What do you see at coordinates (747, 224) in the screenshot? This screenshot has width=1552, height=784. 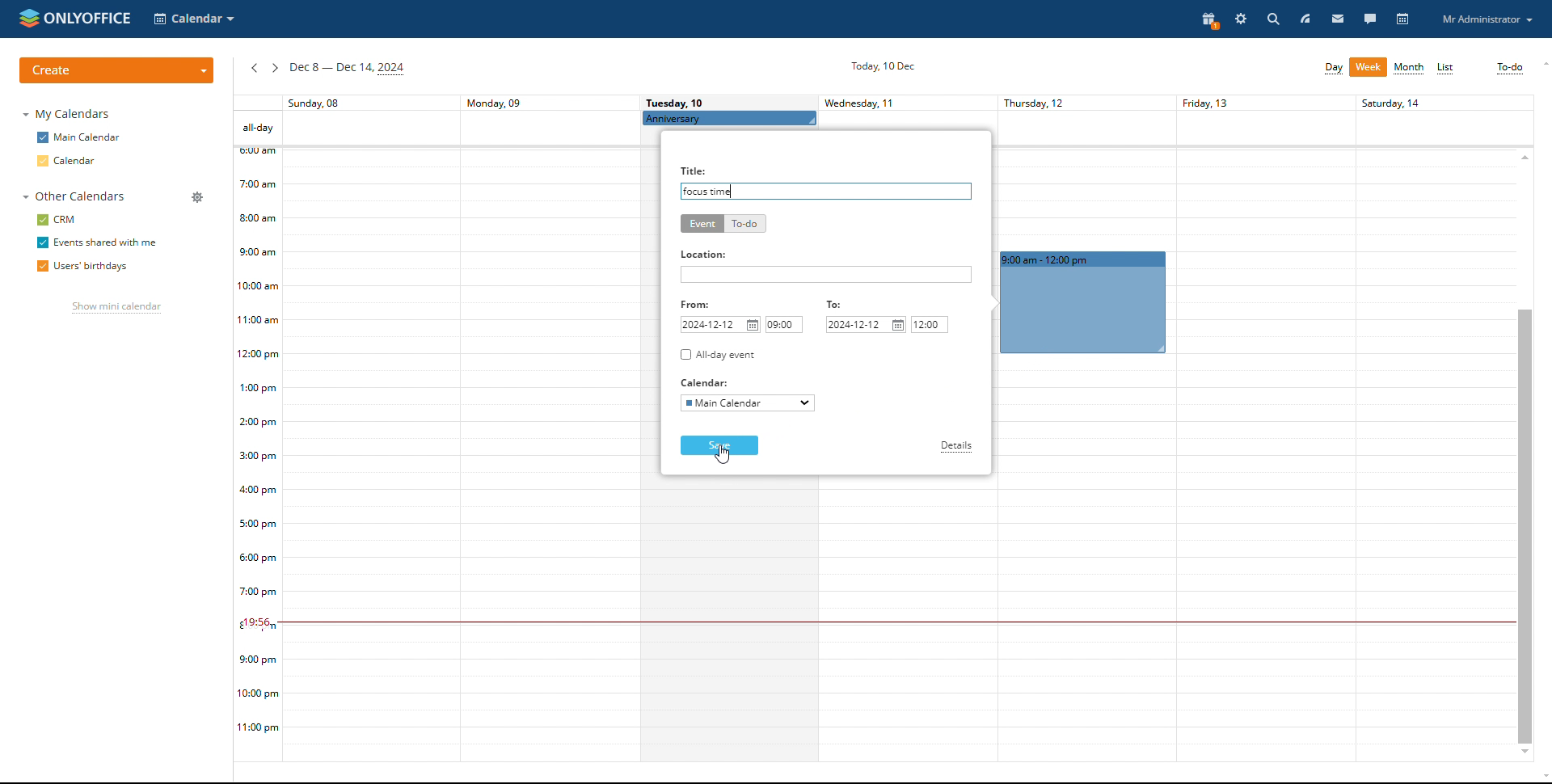 I see `to-do` at bounding box center [747, 224].